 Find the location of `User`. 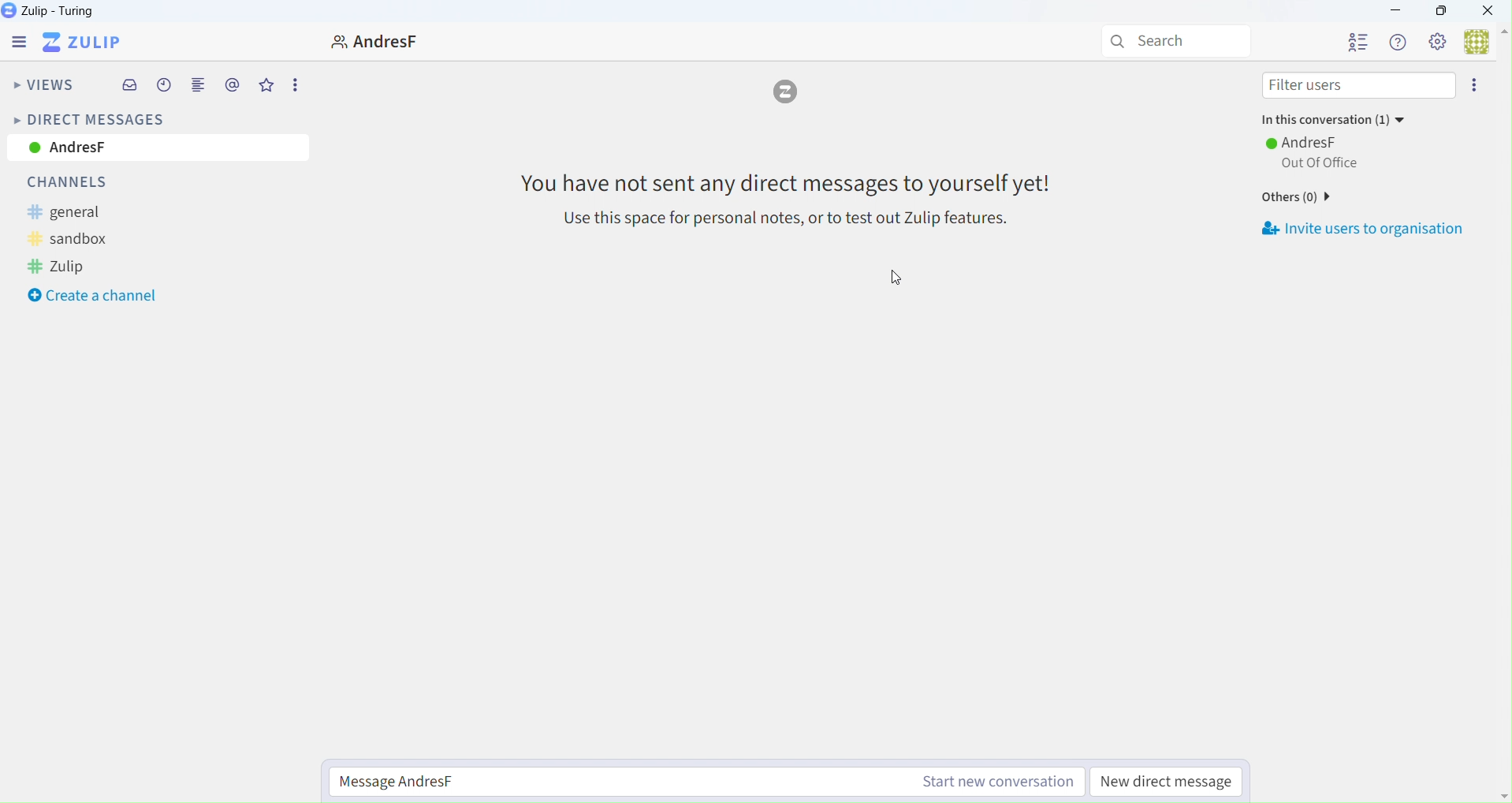

User is located at coordinates (367, 41).